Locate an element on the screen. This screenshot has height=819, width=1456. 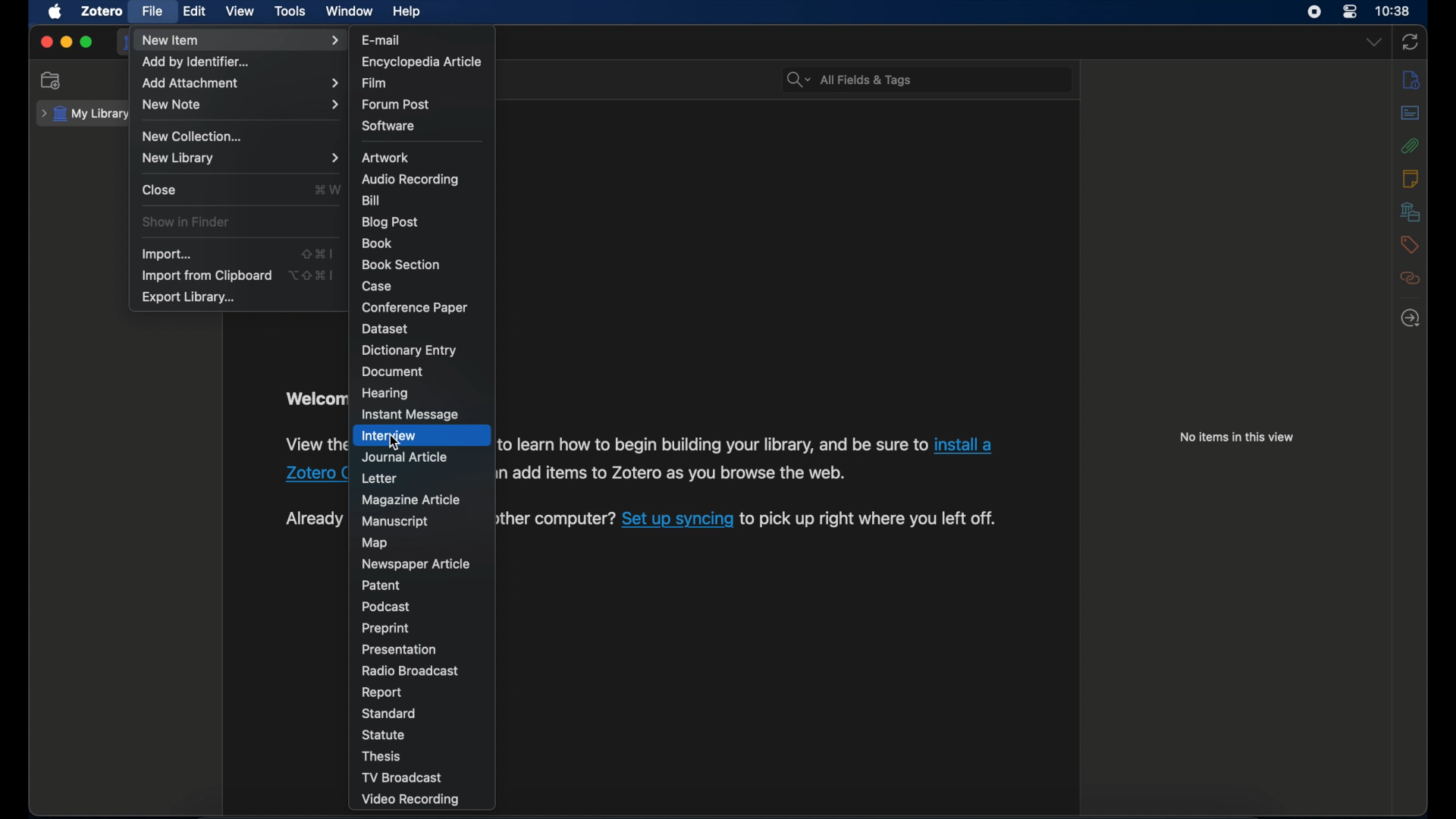
export library is located at coordinates (188, 298).